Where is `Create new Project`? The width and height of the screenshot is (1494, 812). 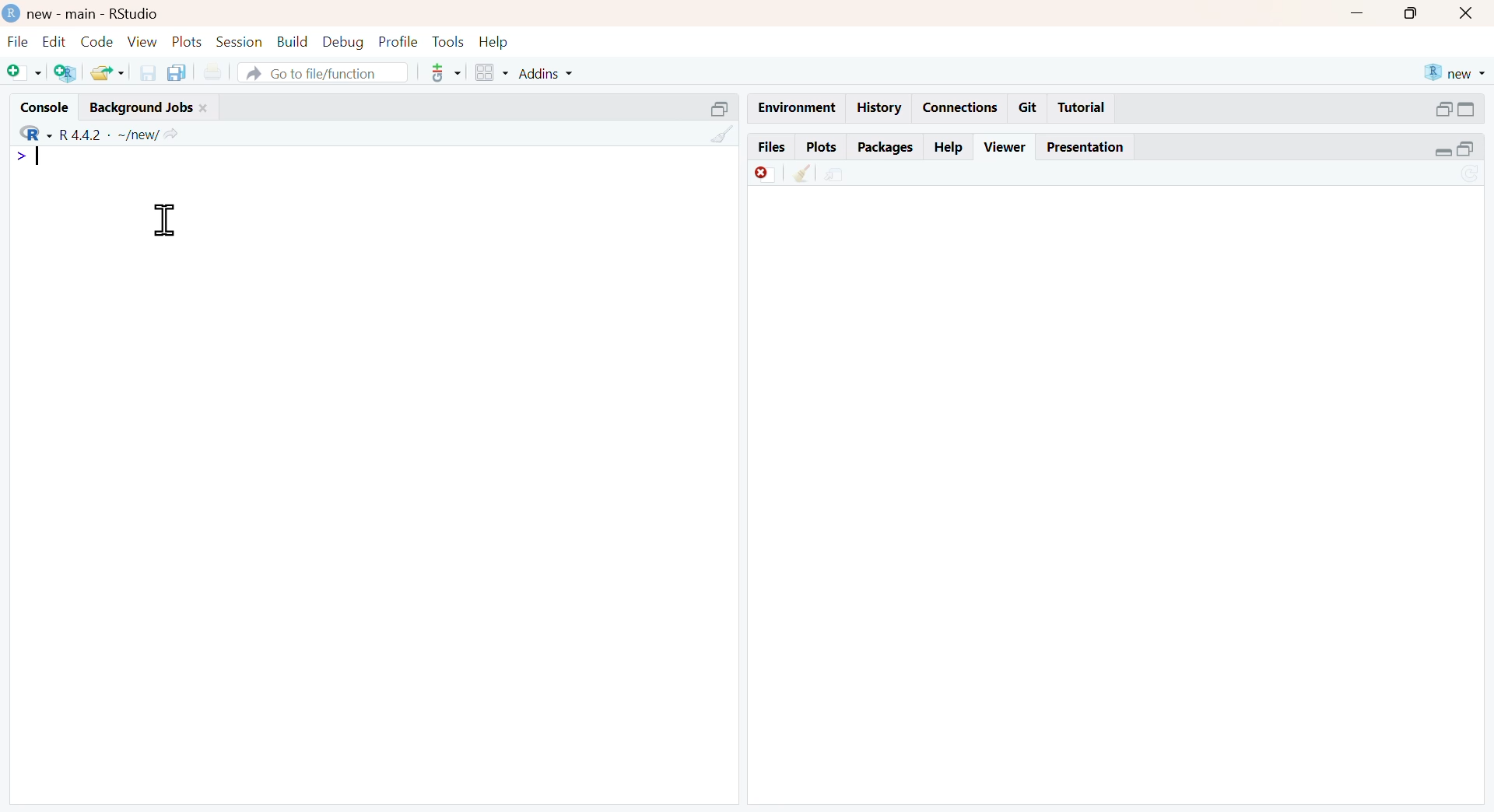
Create new Project is located at coordinates (65, 74).